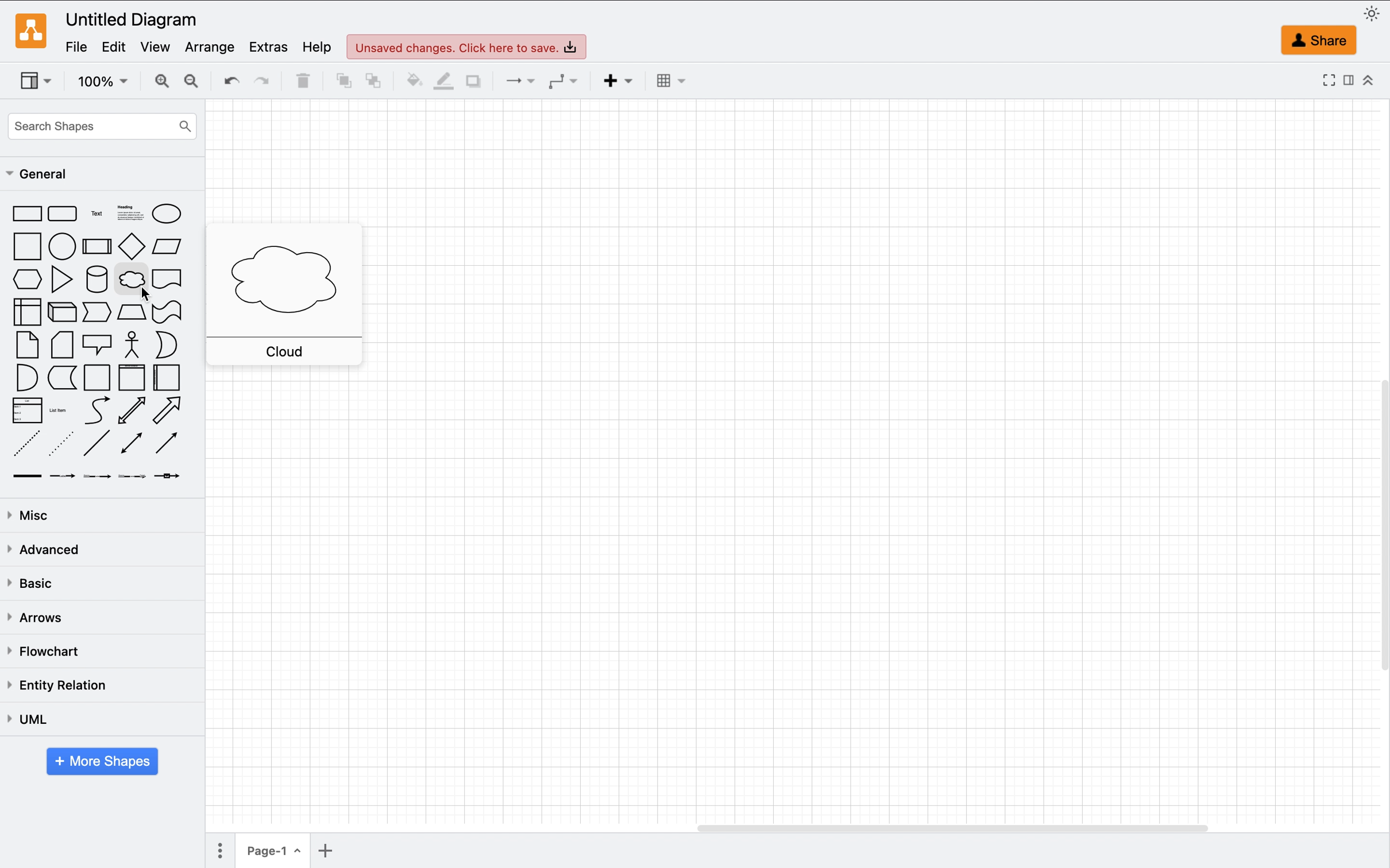  I want to click on hexagon, so click(26, 279).